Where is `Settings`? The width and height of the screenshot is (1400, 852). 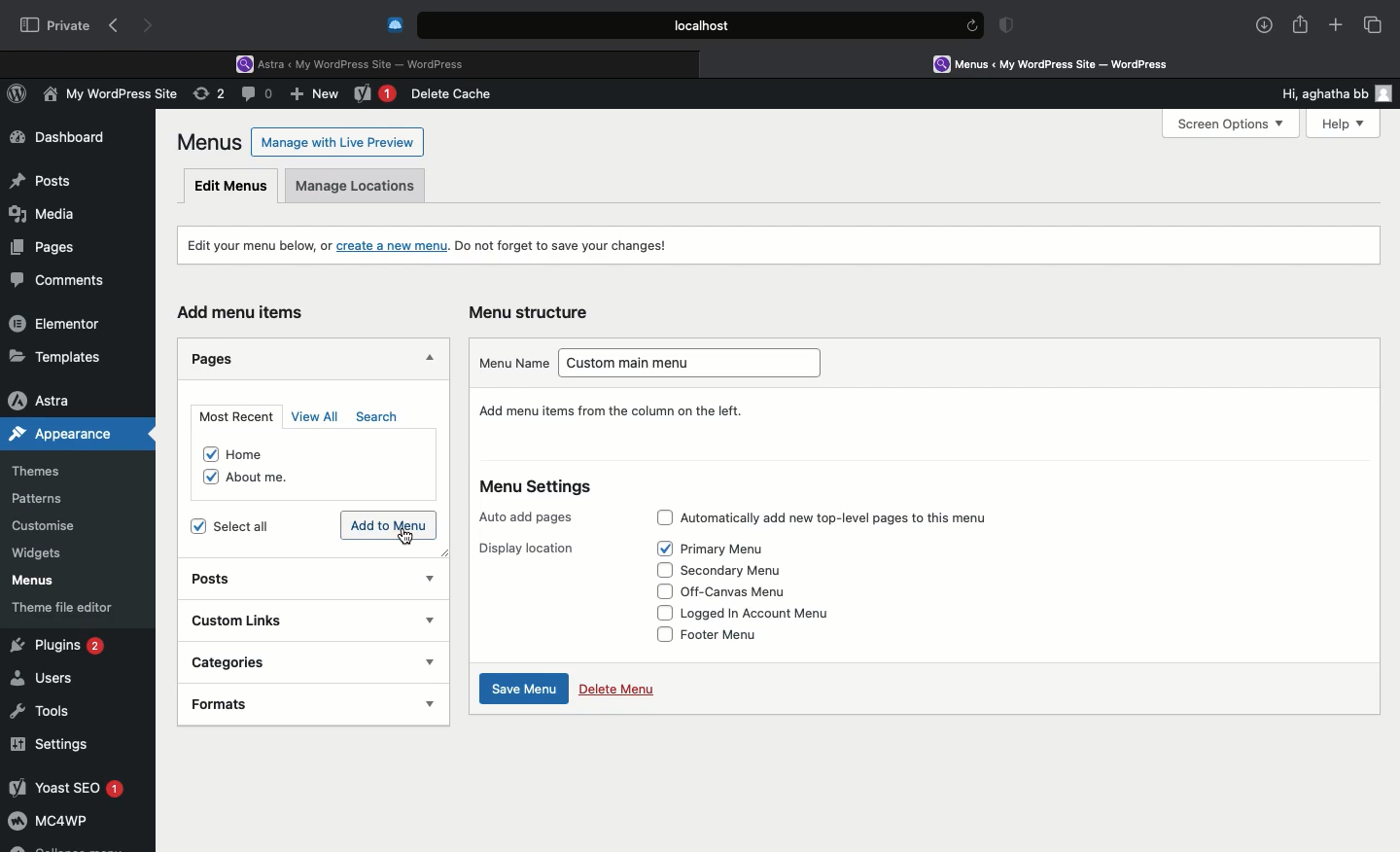 Settings is located at coordinates (51, 744).